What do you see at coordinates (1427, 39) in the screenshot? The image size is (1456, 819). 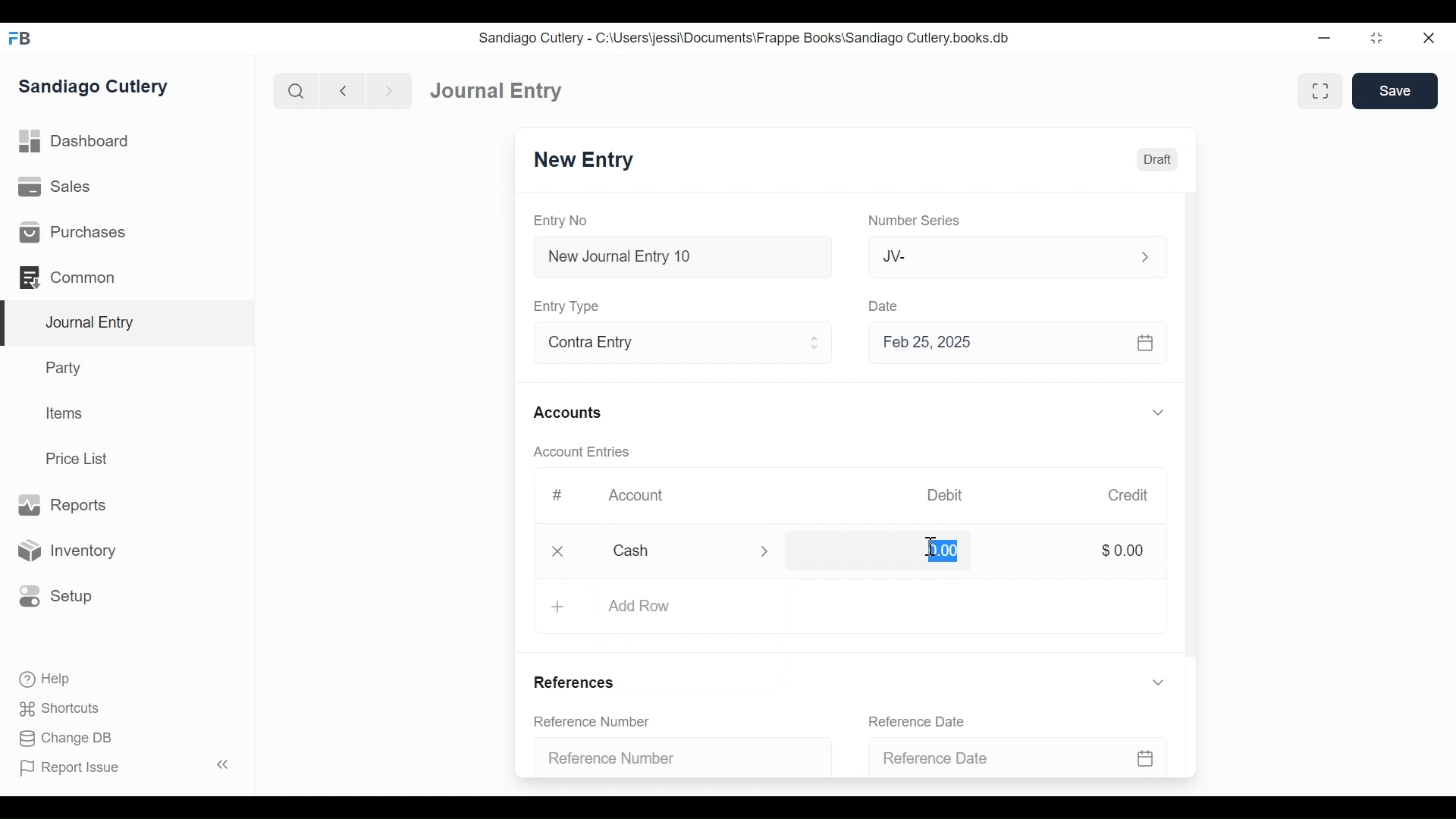 I see `Close` at bounding box center [1427, 39].